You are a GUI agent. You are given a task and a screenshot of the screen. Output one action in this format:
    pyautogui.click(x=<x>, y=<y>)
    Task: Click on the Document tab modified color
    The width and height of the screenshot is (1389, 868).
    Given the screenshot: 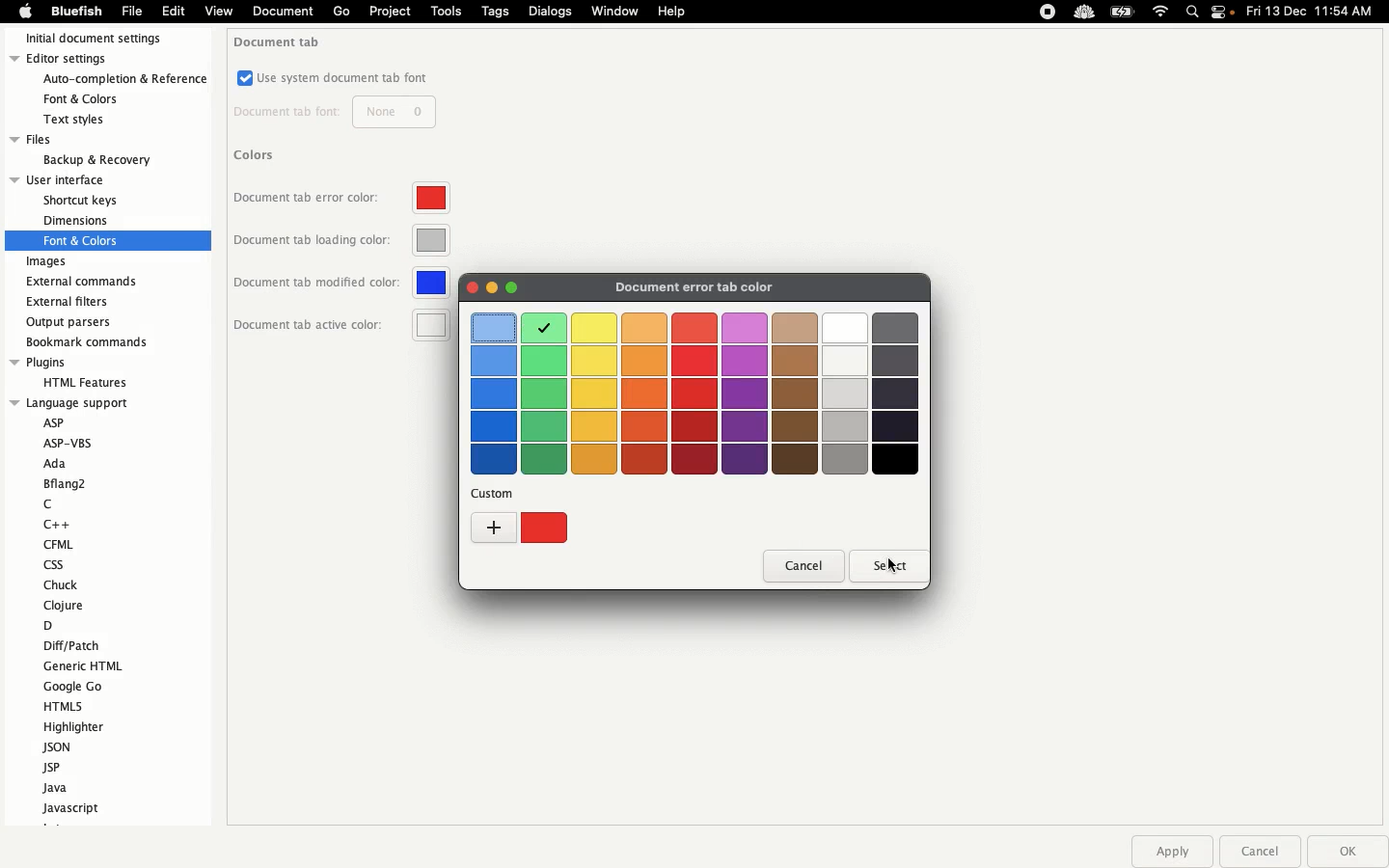 What is the action you would take?
    pyautogui.click(x=342, y=283)
    